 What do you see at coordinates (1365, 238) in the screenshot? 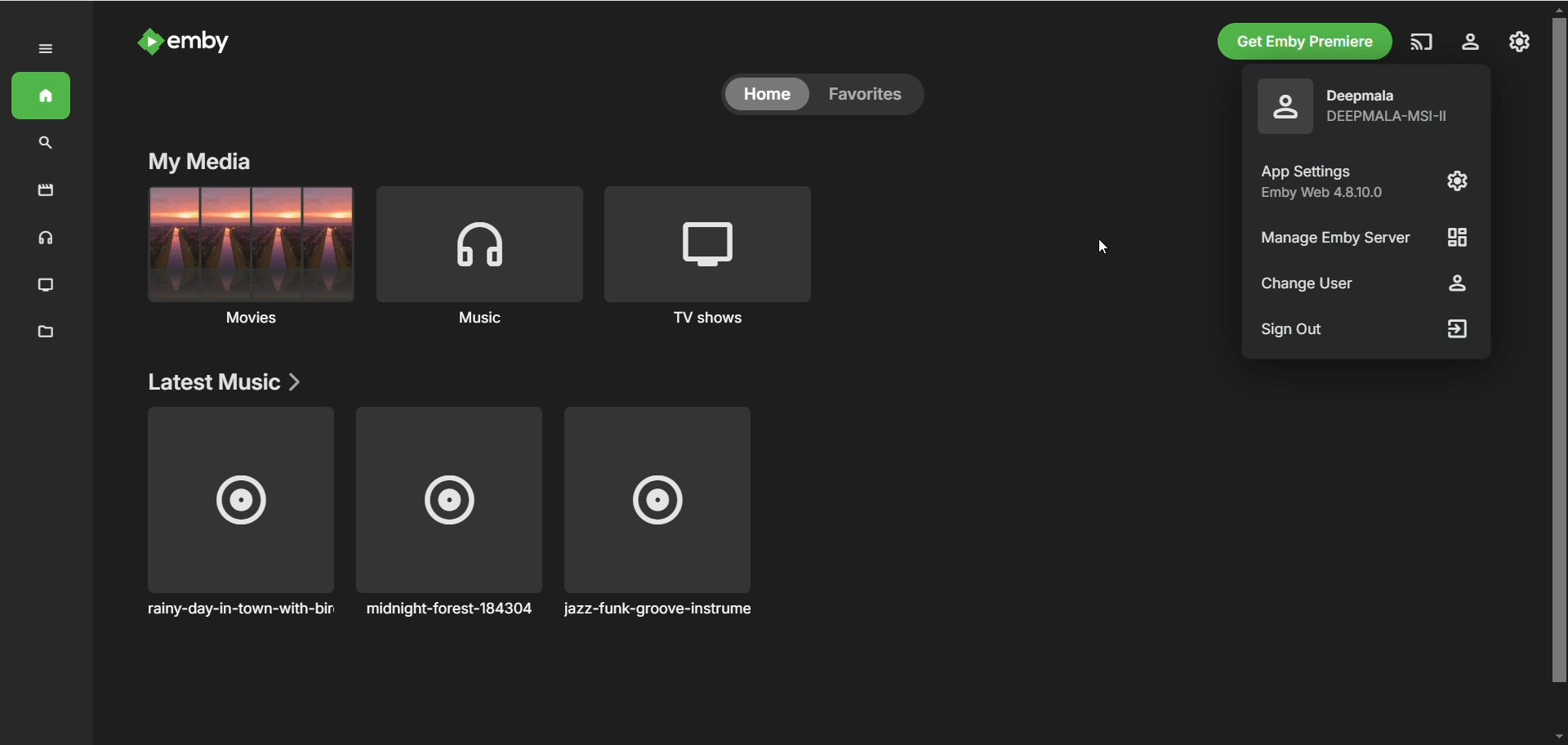
I see `Manage Emby Server ` at bounding box center [1365, 238].